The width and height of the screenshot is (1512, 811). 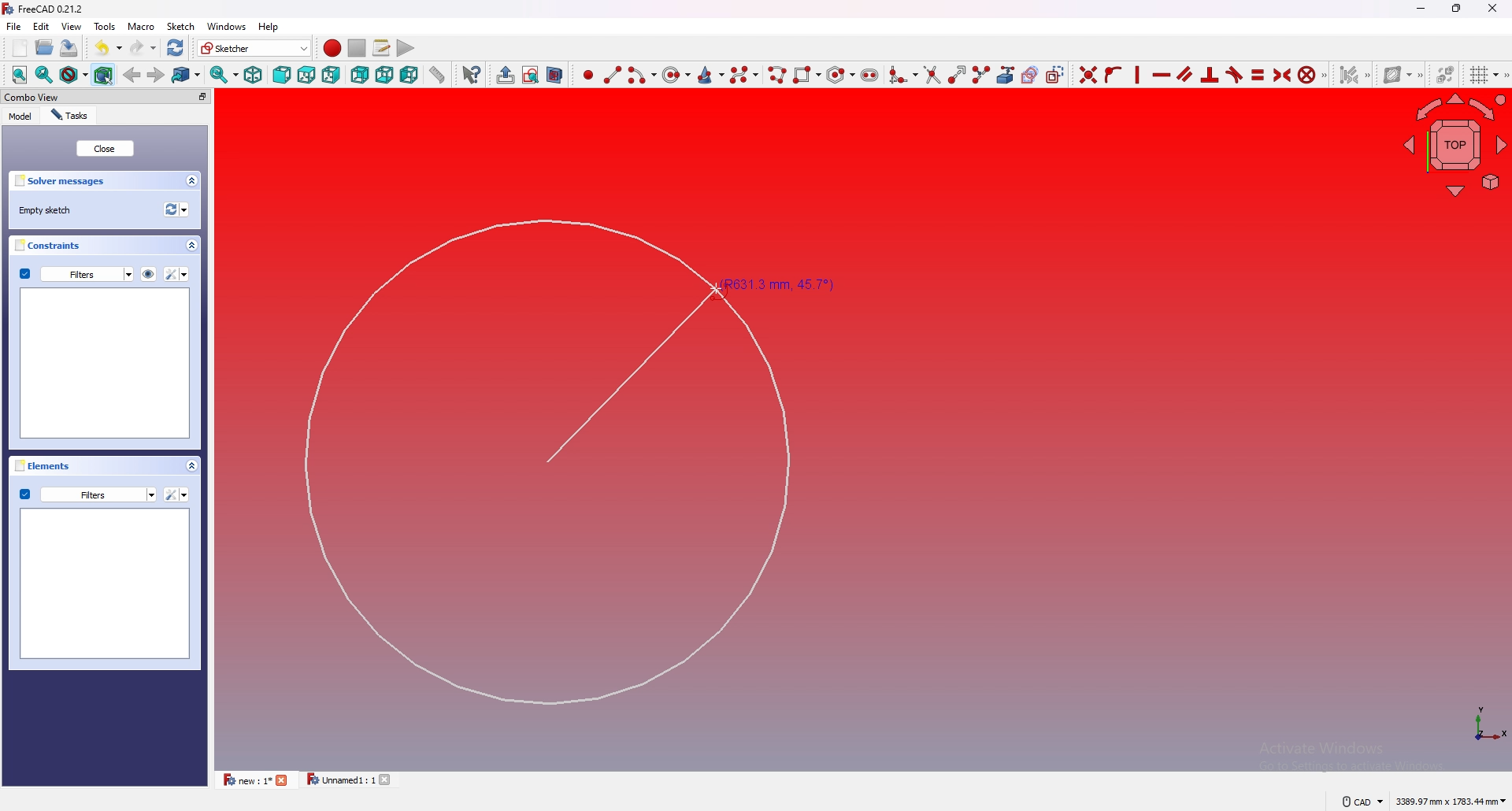 I want to click on file, so click(x=14, y=26).